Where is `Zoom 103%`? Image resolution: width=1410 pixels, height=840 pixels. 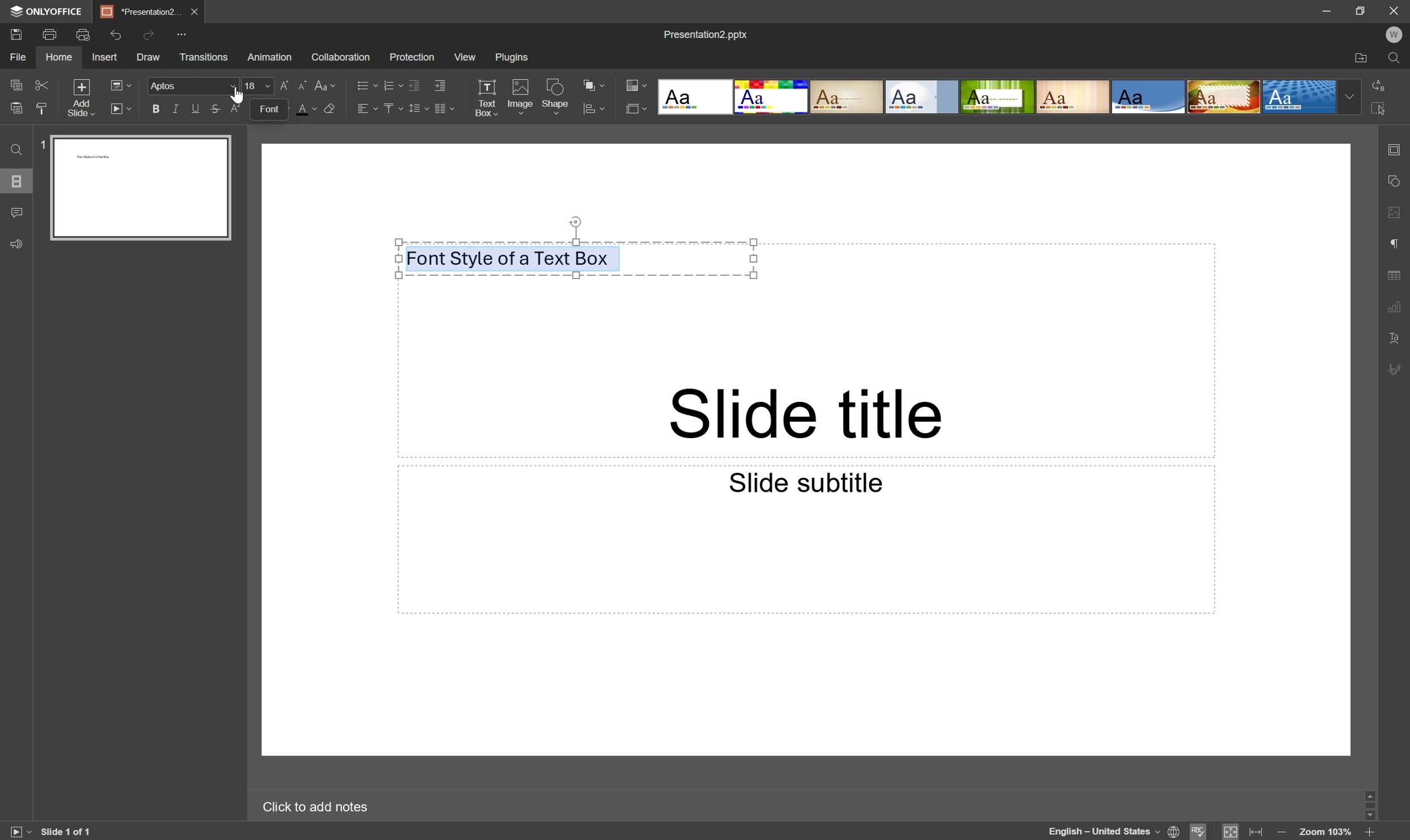 Zoom 103% is located at coordinates (1328, 833).